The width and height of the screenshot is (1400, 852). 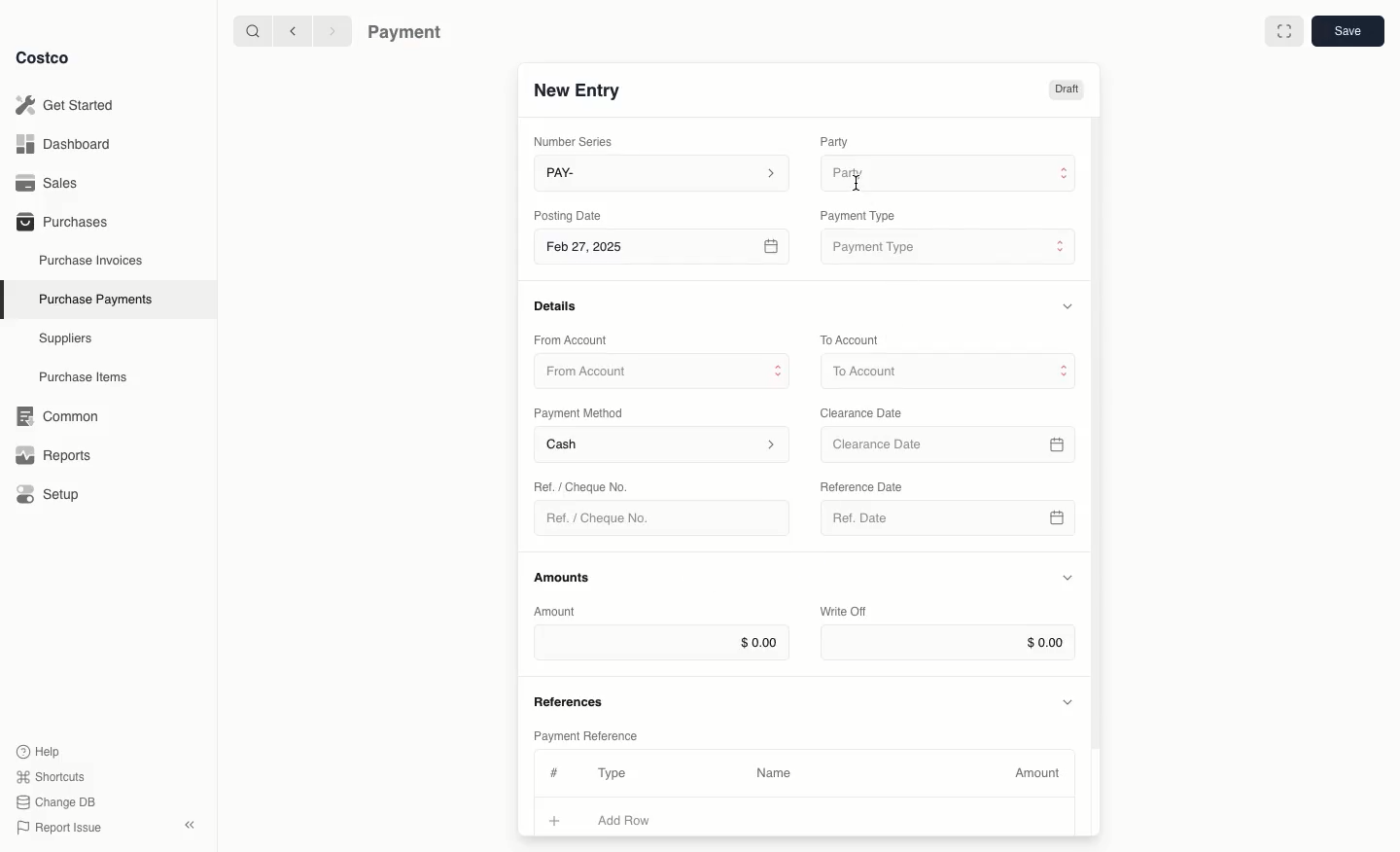 What do you see at coordinates (551, 770) in the screenshot?
I see `#` at bounding box center [551, 770].